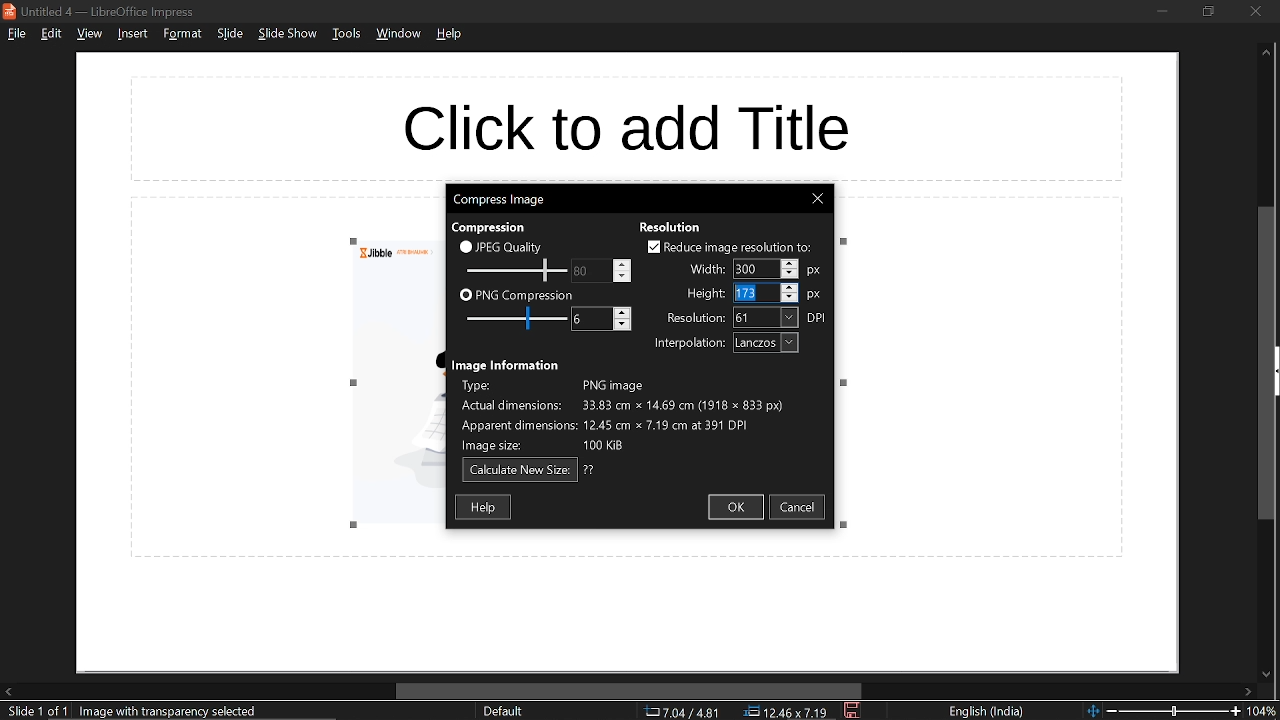 Image resolution: width=1280 pixels, height=720 pixels. Describe the element at coordinates (494, 226) in the screenshot. I see `text` at that location.